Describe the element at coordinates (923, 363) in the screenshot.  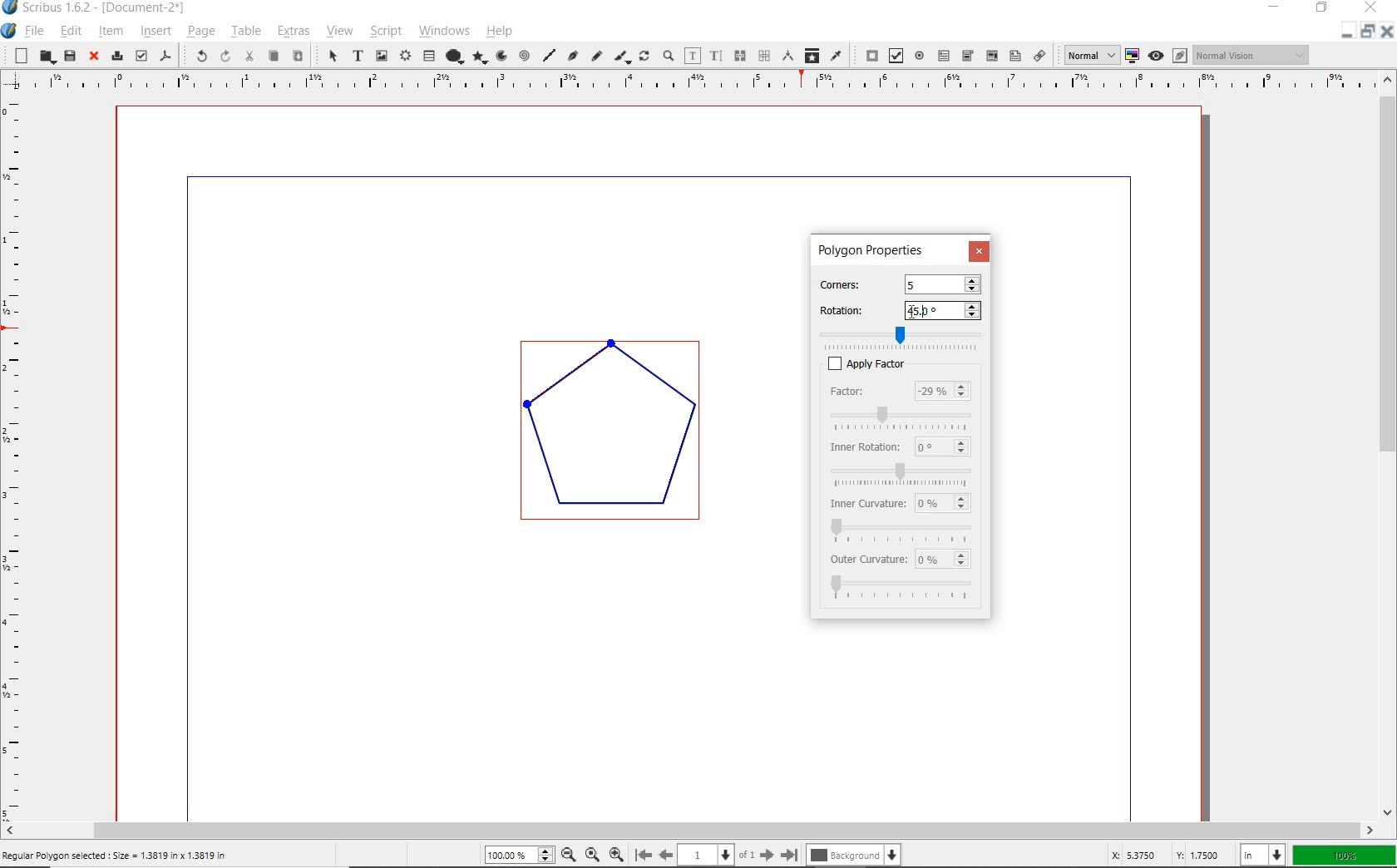
I see `APPLY FACTOR` at that location.